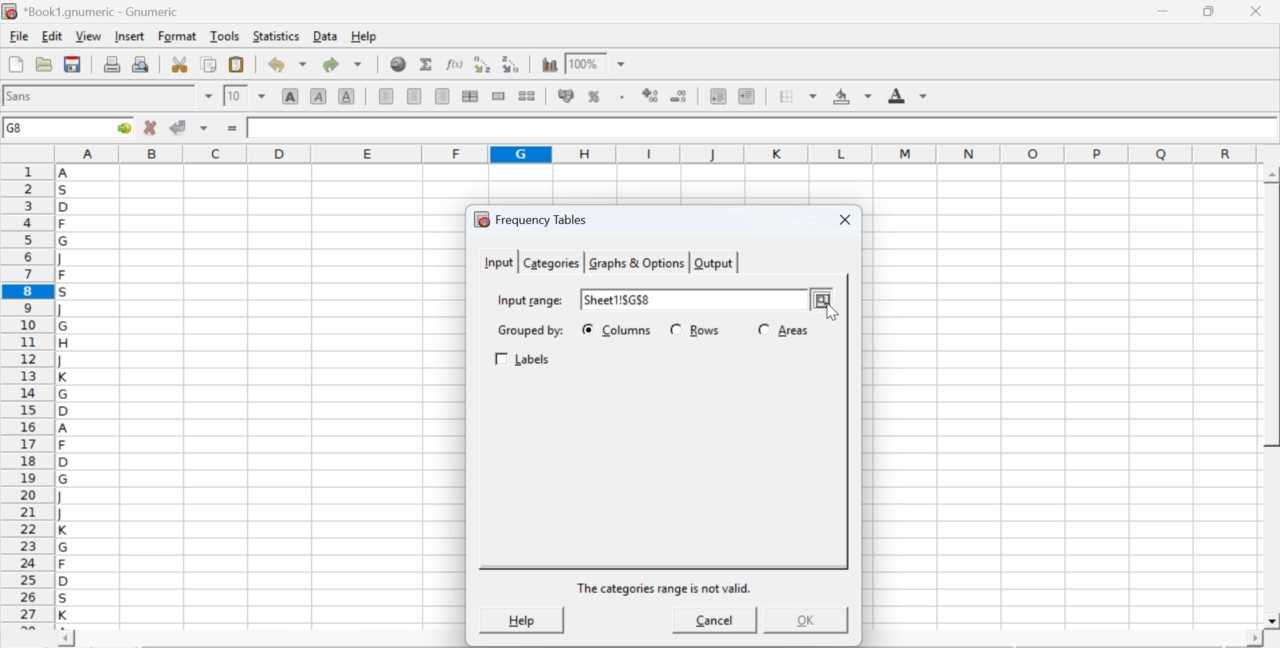  Describe the element at coordinates (799, 96) in the screenshot. I see `borders` at that location.